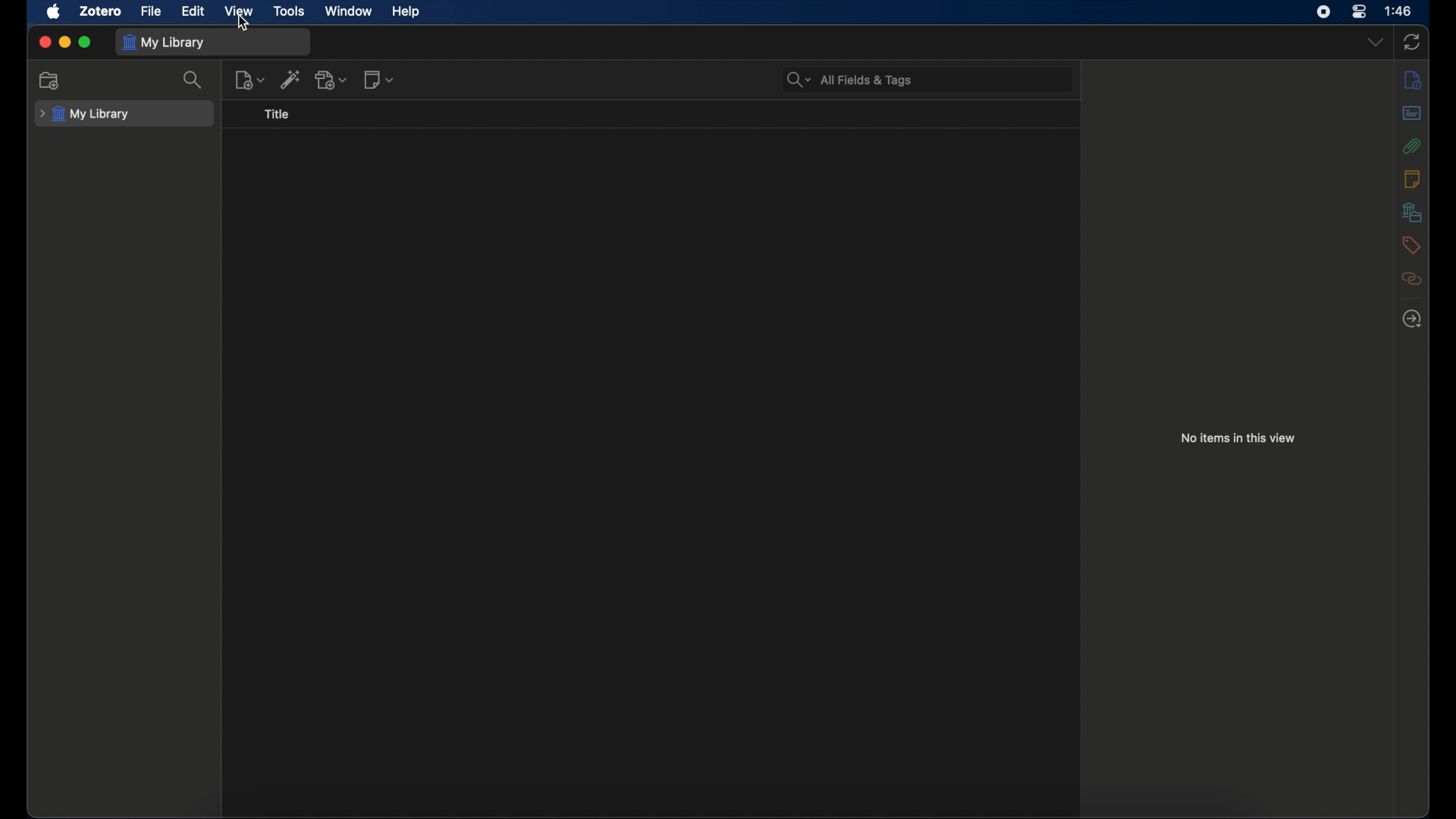 The width and height of the screenshot is (1456, 819). I want to click on screen recorder, so click(1323, 11).